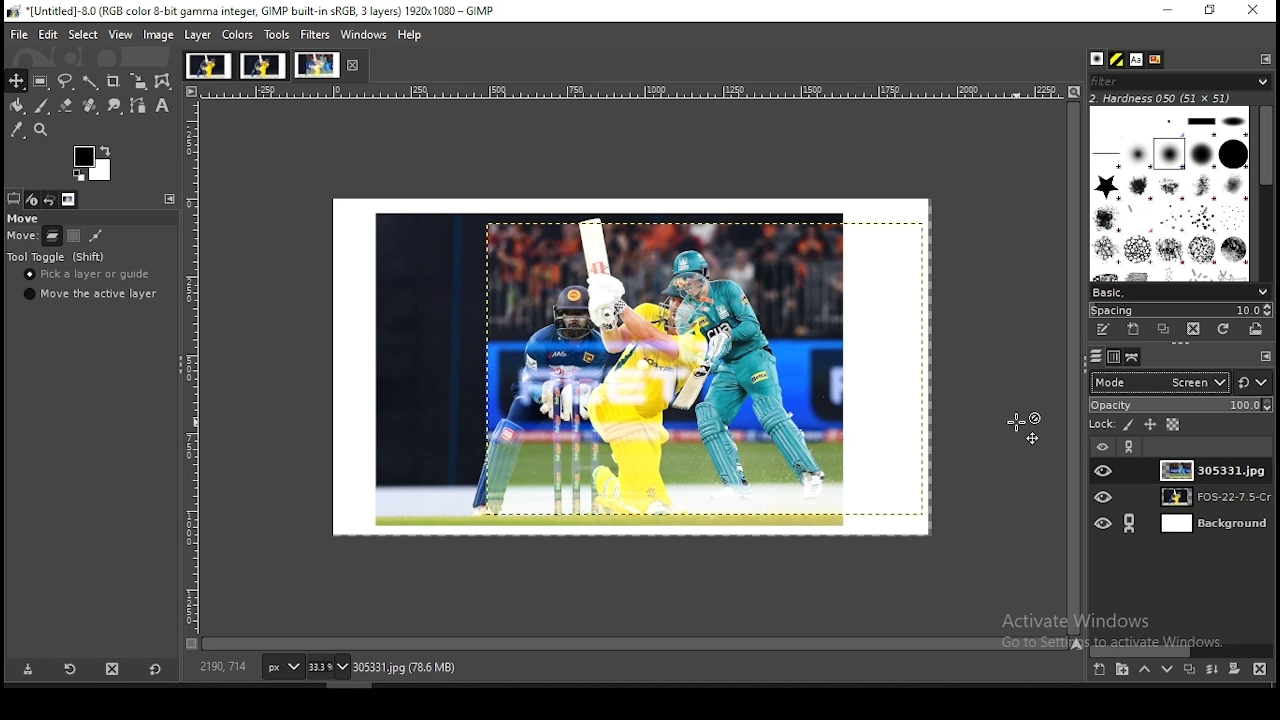 Image resolution: width=1280 pixels, height=720 pixels. I want to click on lock alpha channel, so click(1173, 426).